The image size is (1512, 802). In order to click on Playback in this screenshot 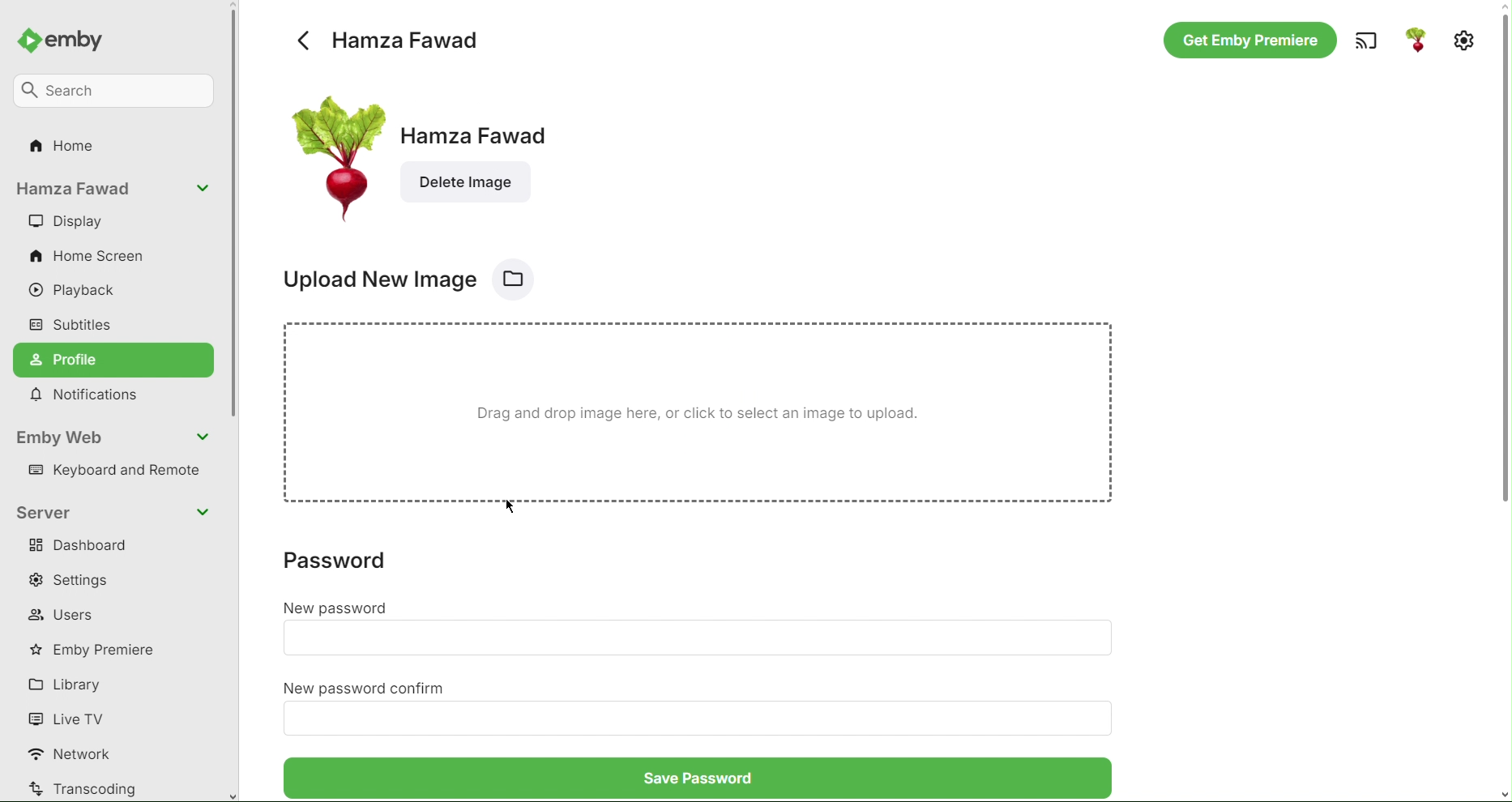, I will do `click(81, 292)`.